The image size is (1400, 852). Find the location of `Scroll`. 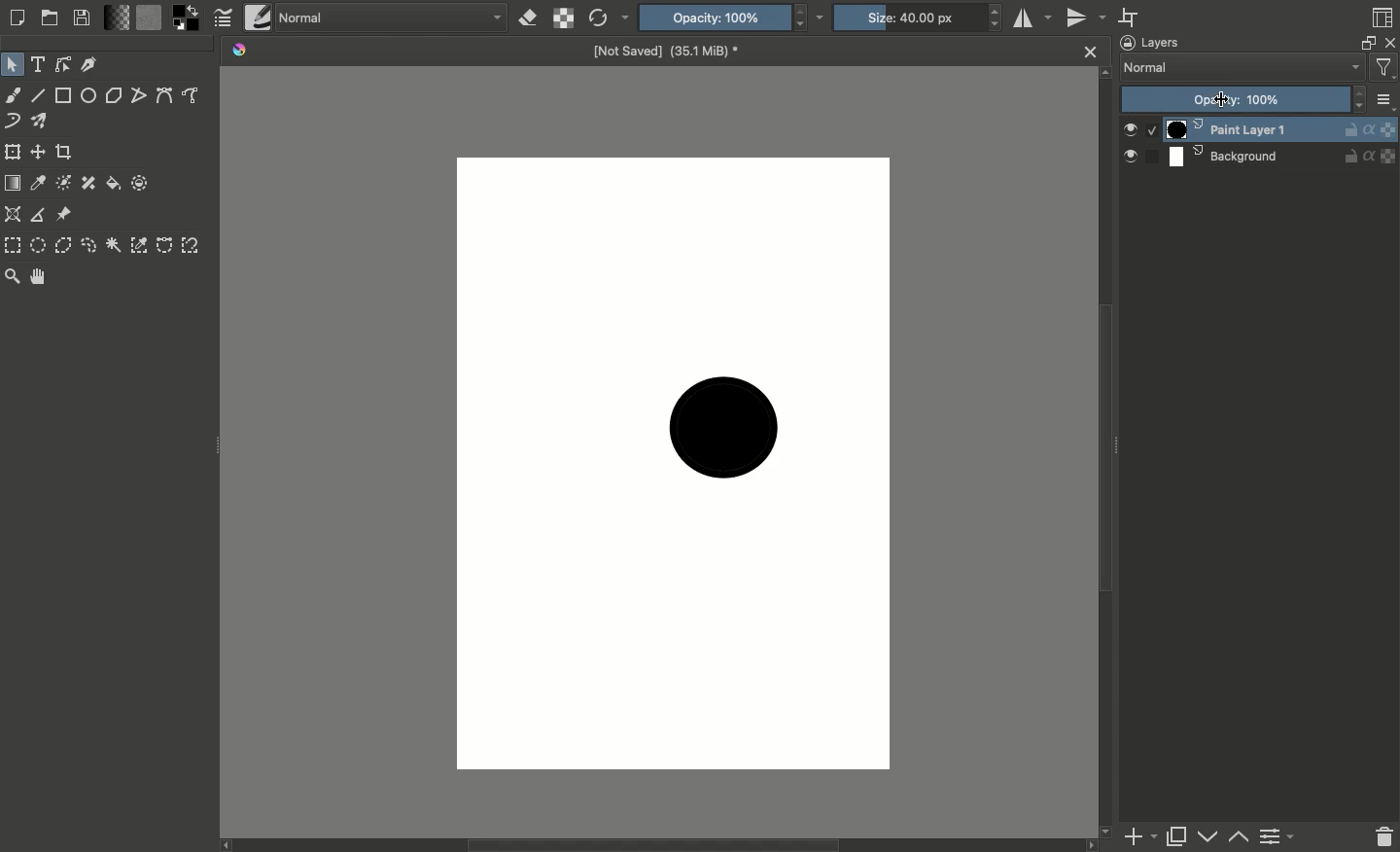

Scroll is located at coordinates (1108, 458).